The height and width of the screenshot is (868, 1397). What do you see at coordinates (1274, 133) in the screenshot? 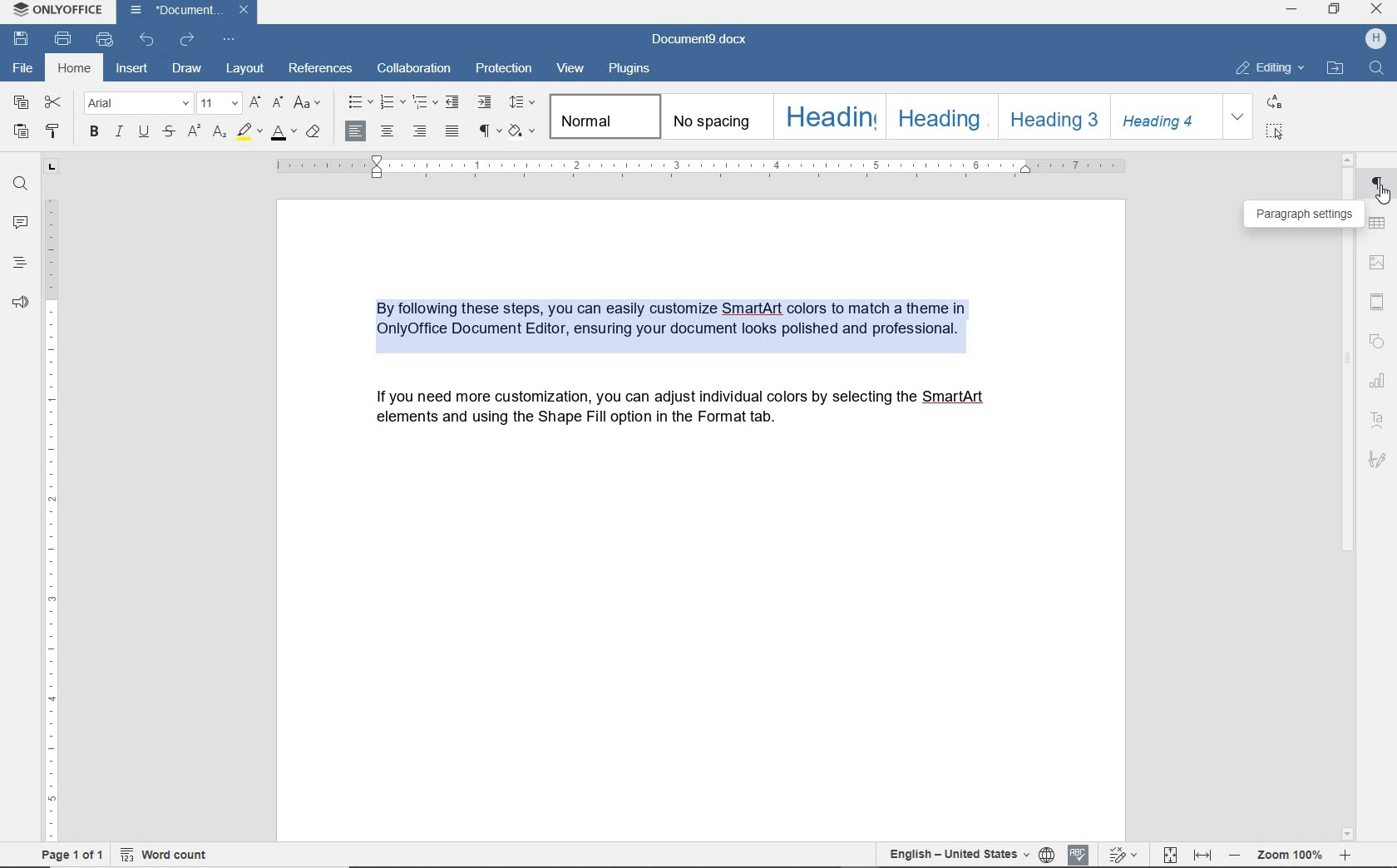
I see `select all` at bounding box center [1274, 133].